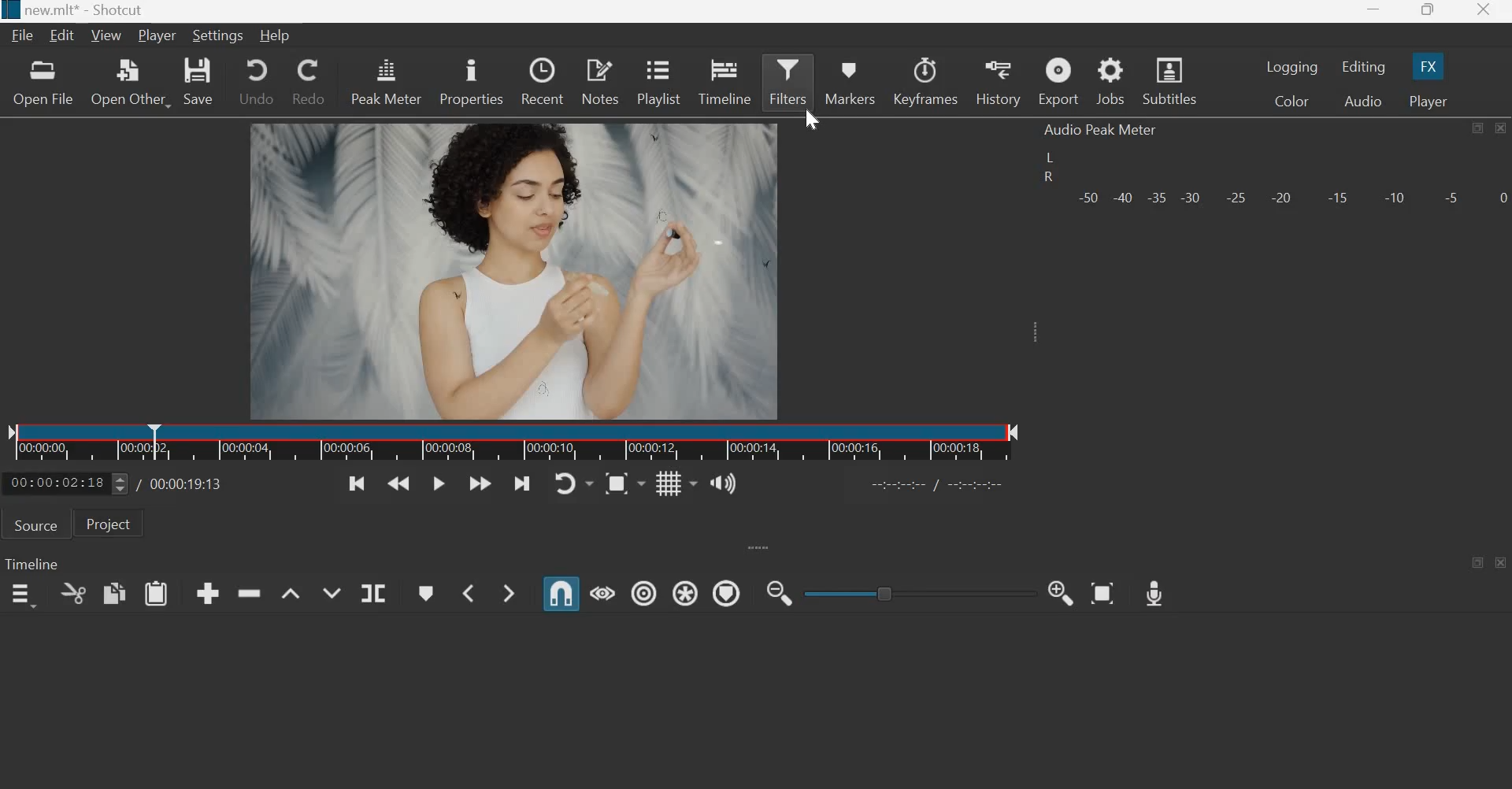 This screenshot has height=789, width=1512. Describe the element at coordinates (727, 593) in the screenshot. I see `Ripple Markers` at that location.